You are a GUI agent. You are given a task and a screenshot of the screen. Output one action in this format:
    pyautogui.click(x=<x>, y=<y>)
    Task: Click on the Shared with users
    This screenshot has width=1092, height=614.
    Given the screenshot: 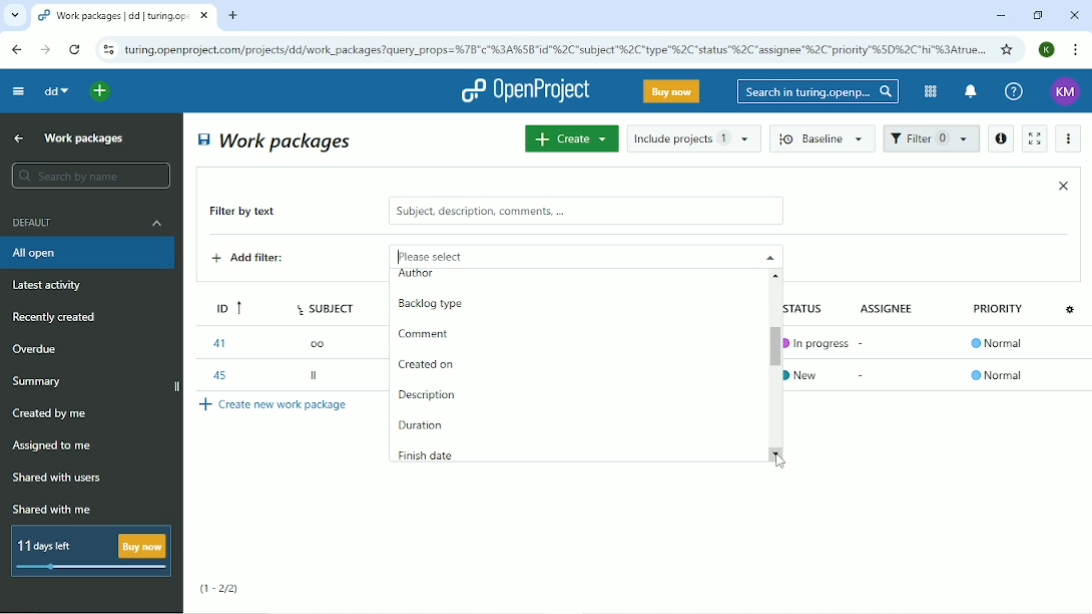 What is the action you would take?
    pyautogui.click(x=58, y=478)
    